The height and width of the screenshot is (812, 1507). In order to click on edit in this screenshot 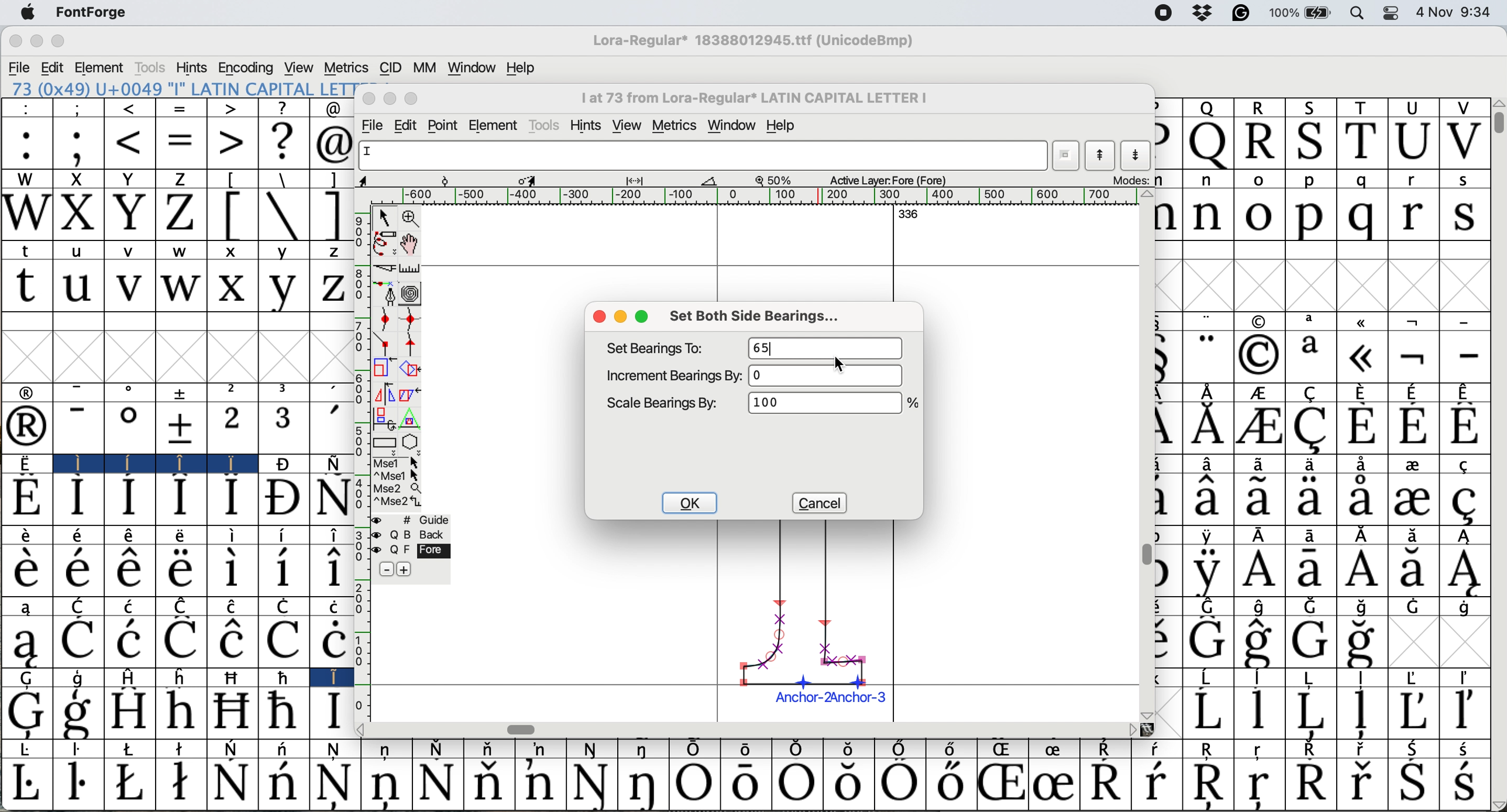, I will do `click(408, 125)`.